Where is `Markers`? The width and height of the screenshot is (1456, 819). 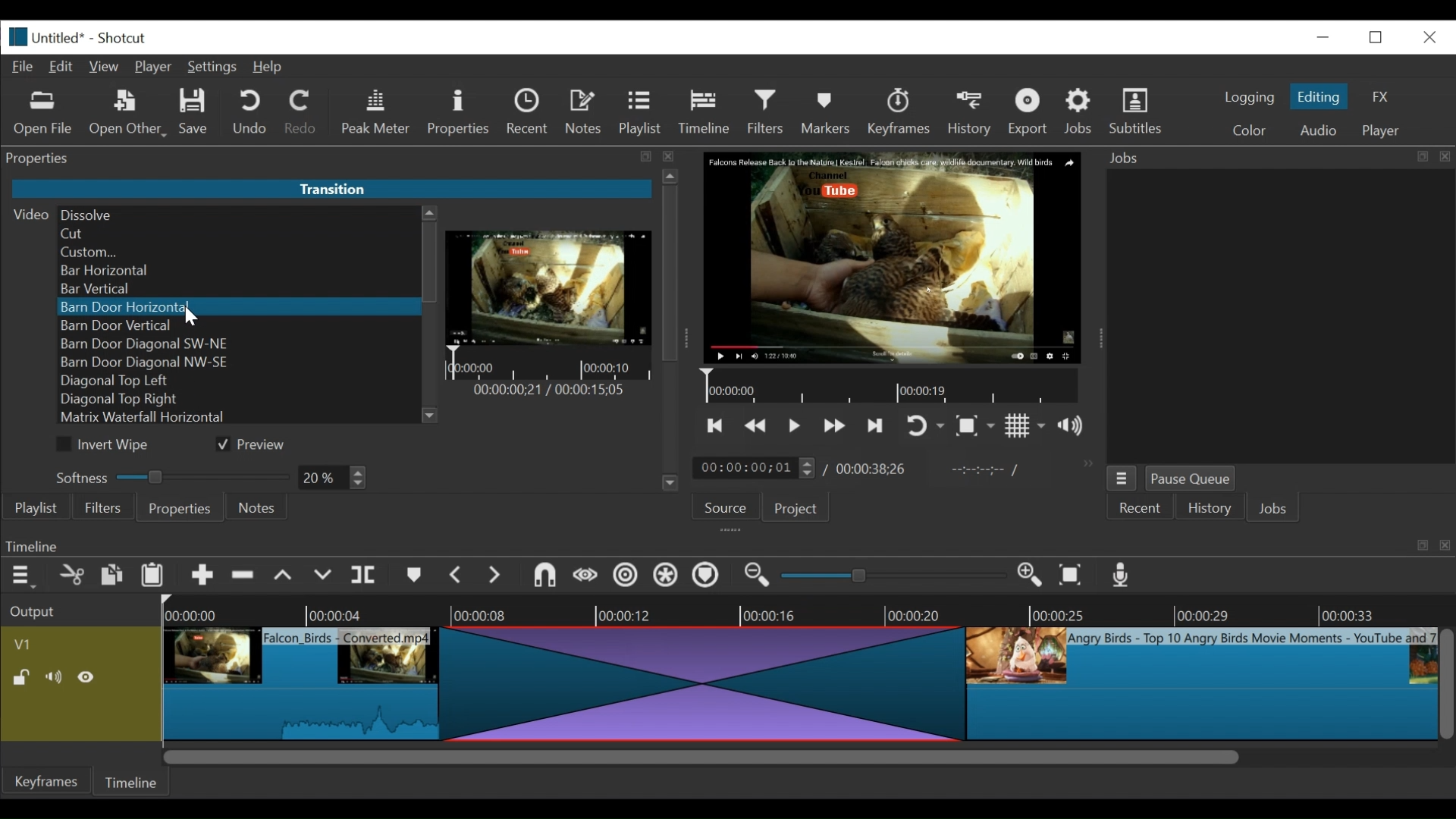 Markers is located at coordinates (829, 111).